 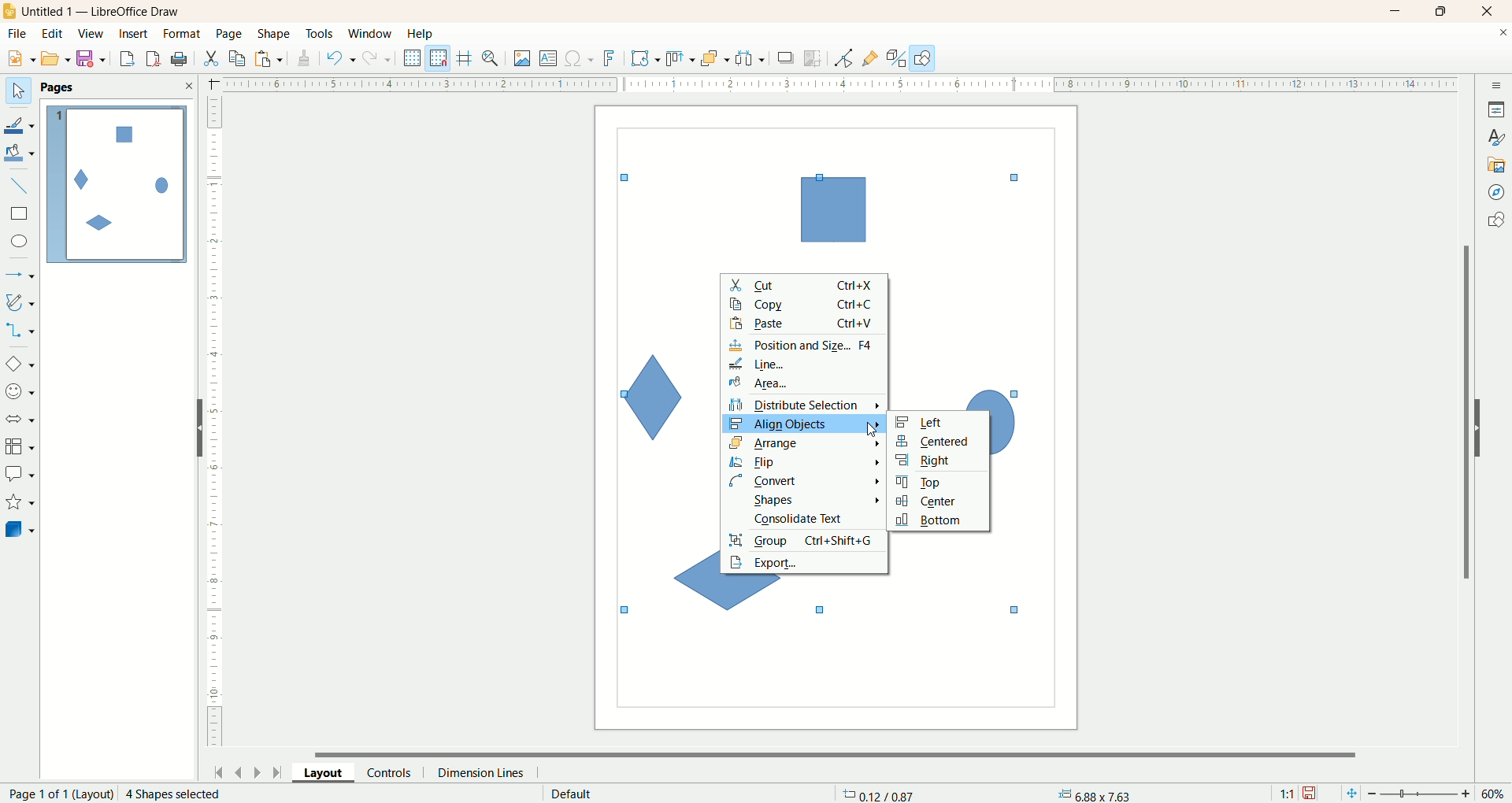 I want to click on page number, so click(x=57, y=794).